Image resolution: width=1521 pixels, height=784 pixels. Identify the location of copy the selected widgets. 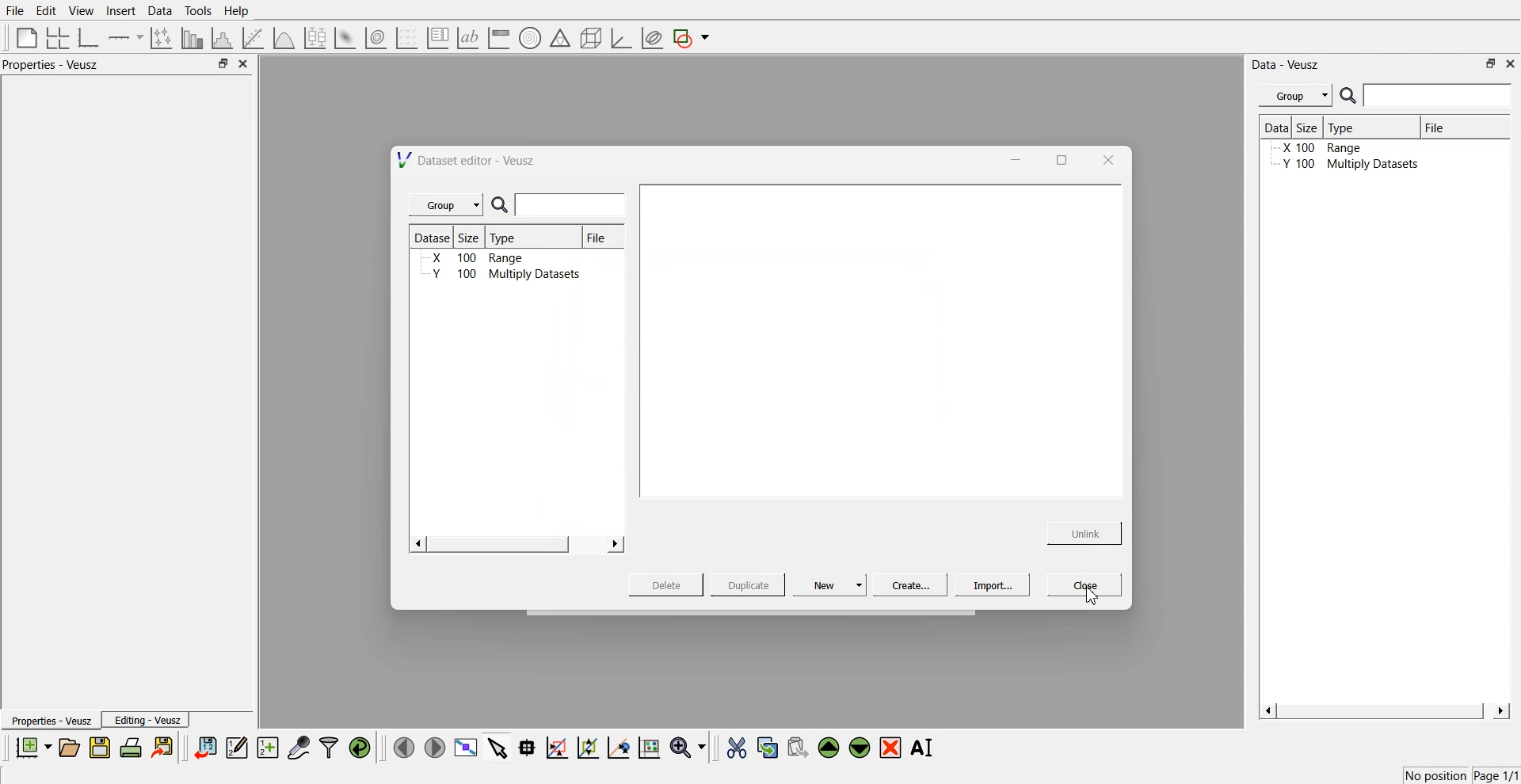
(768, 747).